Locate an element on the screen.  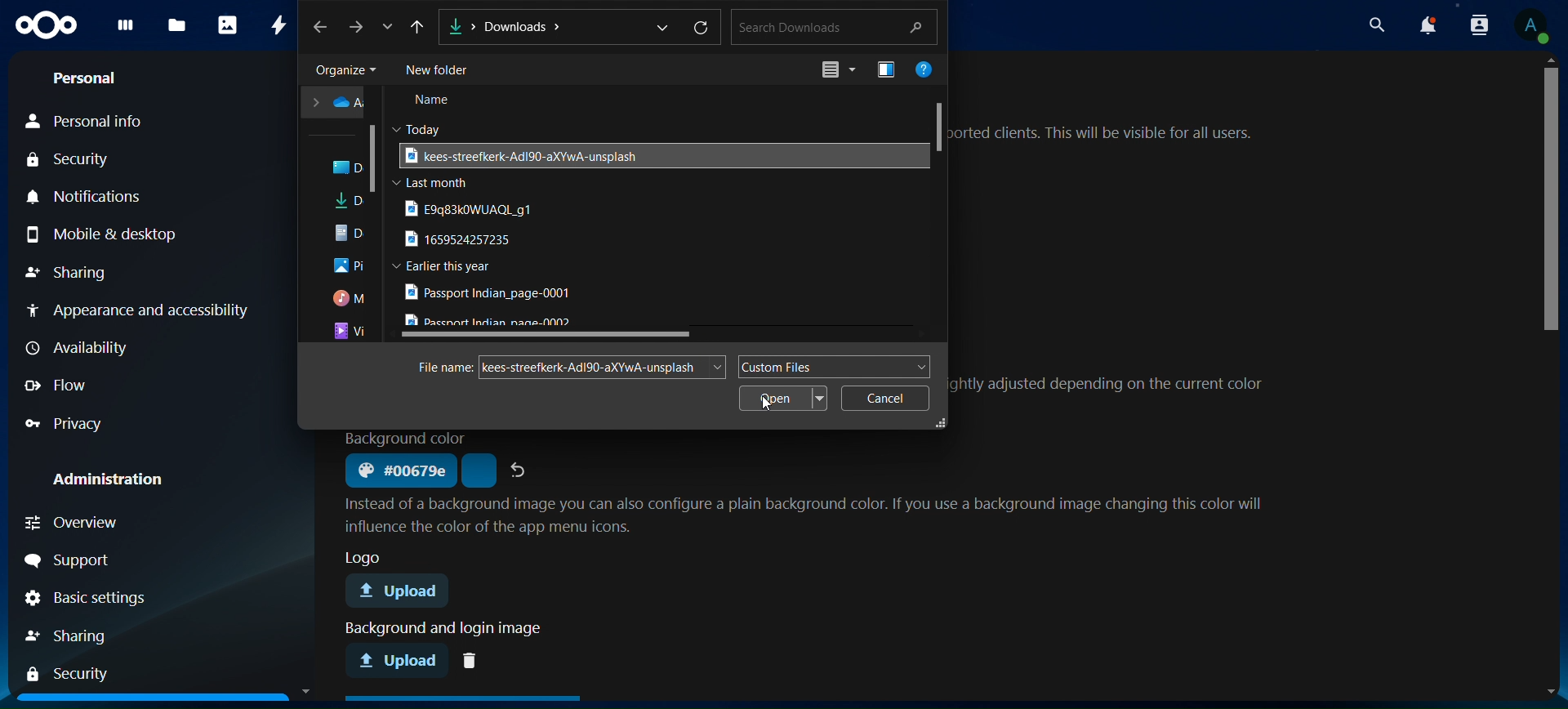
refresh is located at coordinates (702, 29).